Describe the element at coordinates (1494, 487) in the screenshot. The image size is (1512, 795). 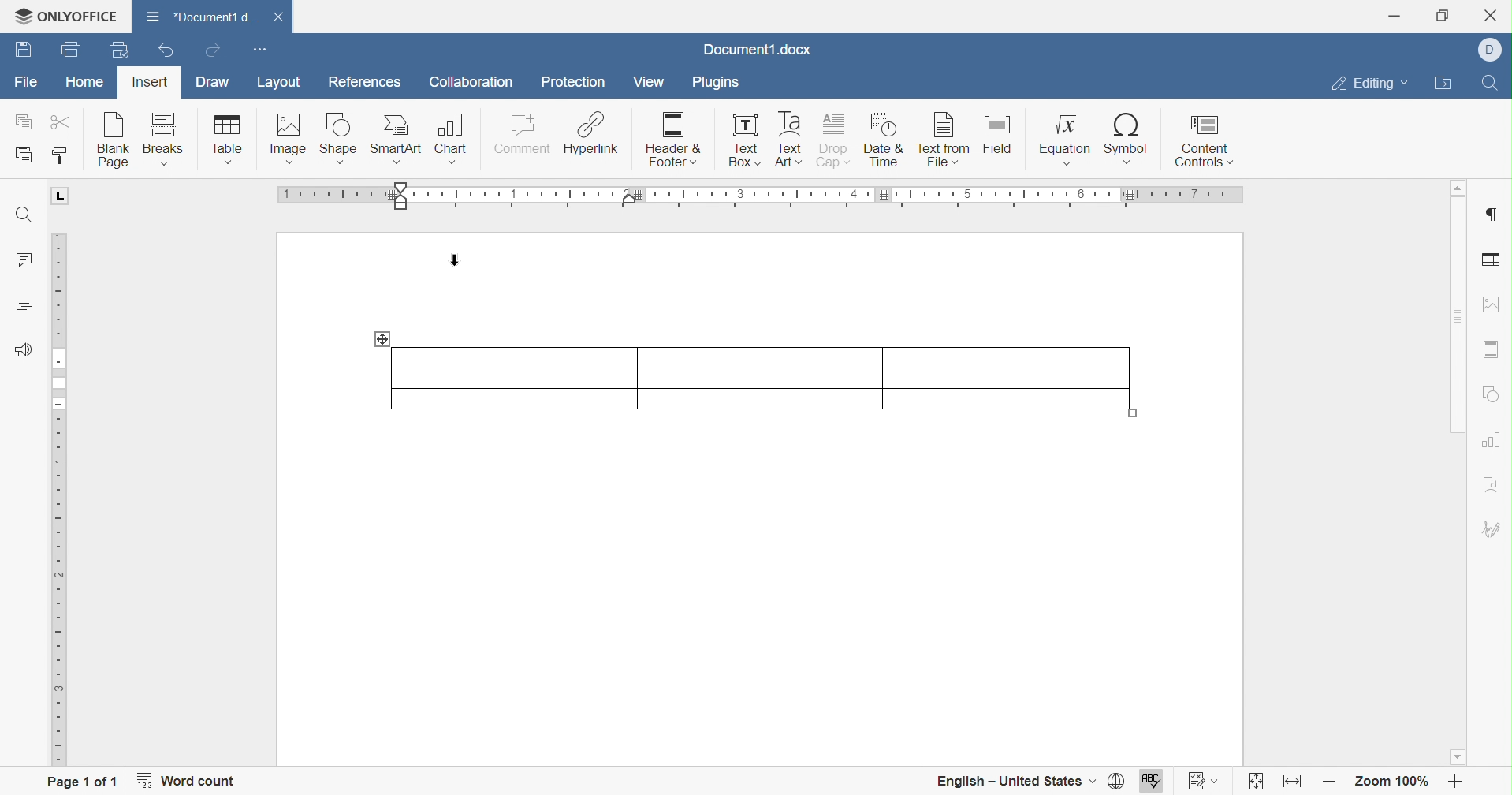
I see `Text art settings` at that location.